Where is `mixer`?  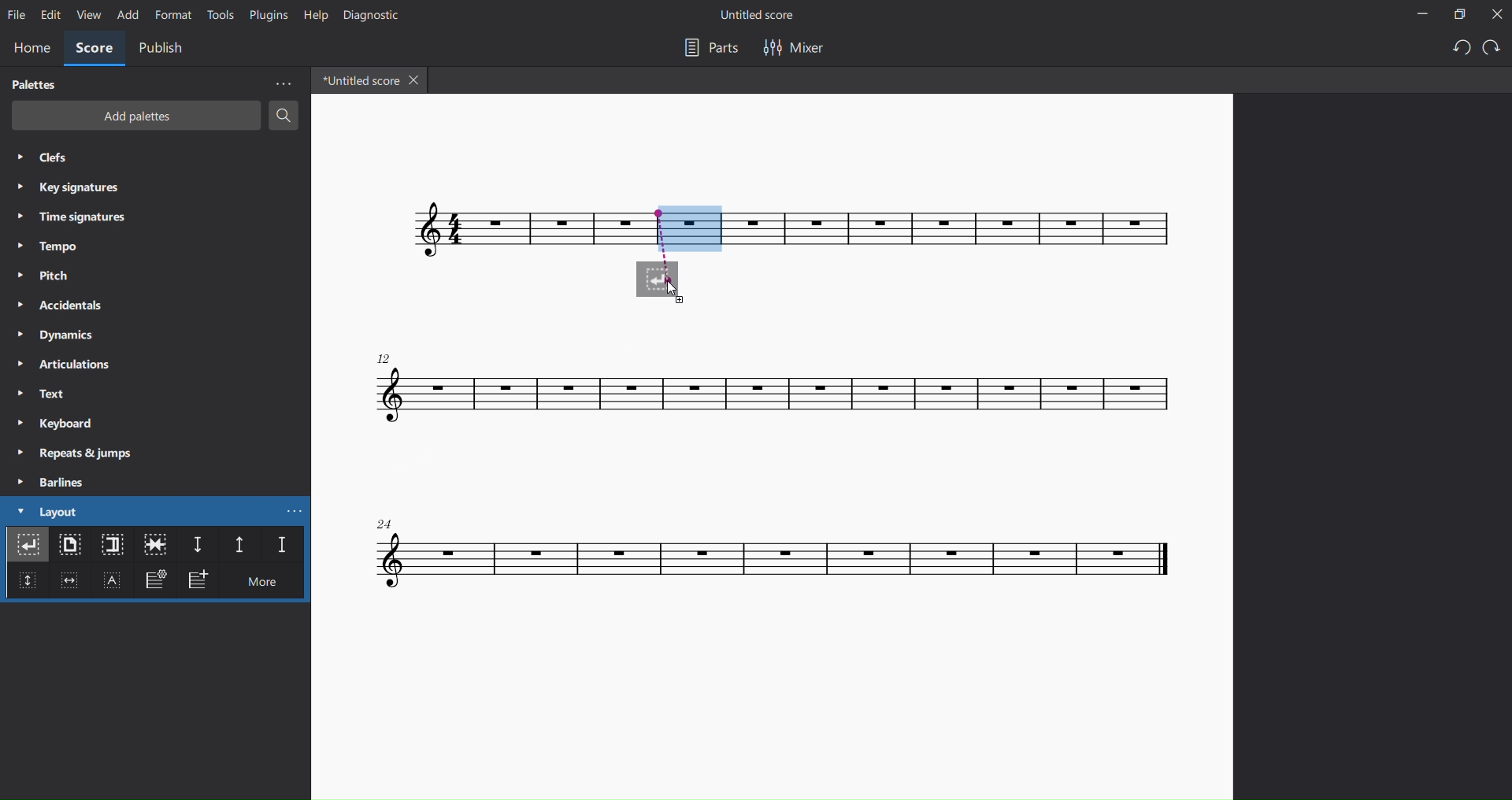 mixer is located at coordinates (793, 47).